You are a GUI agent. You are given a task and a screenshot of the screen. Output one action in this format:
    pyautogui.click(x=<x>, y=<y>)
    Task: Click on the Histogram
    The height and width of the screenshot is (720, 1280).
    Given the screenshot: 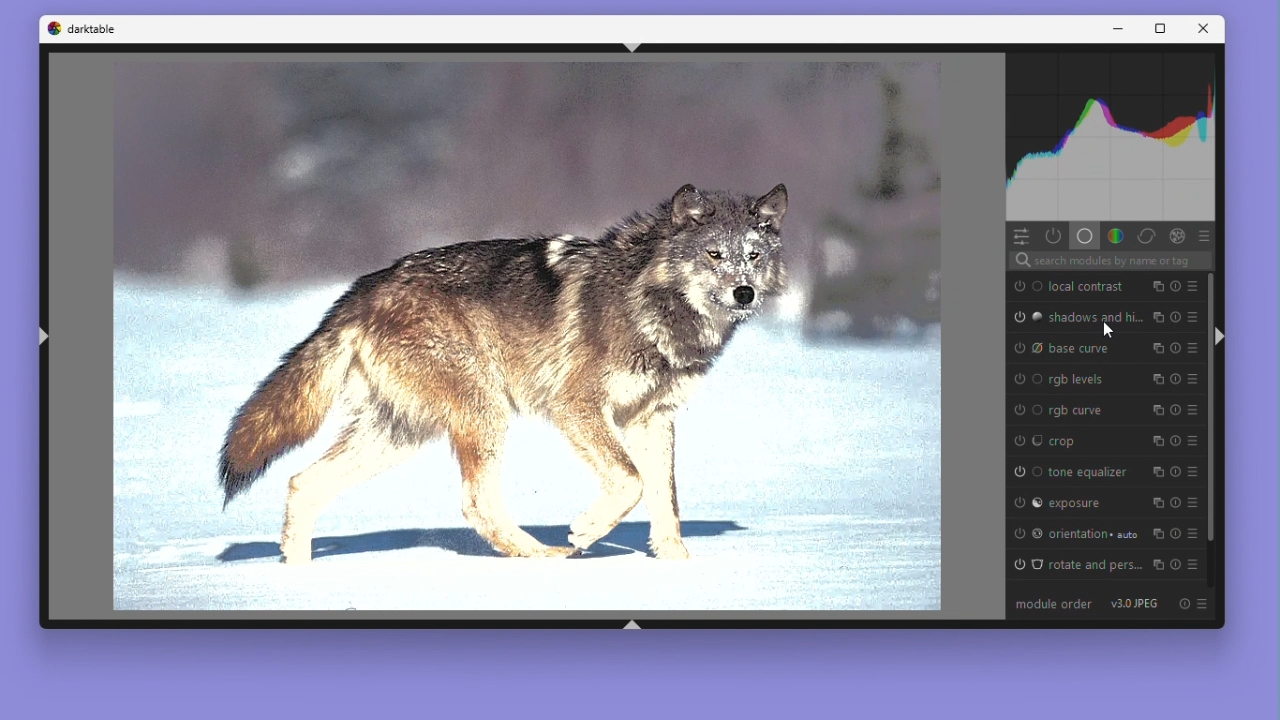 What is the action you would take?
    pyautogui.click(x=1114, y=137)
    